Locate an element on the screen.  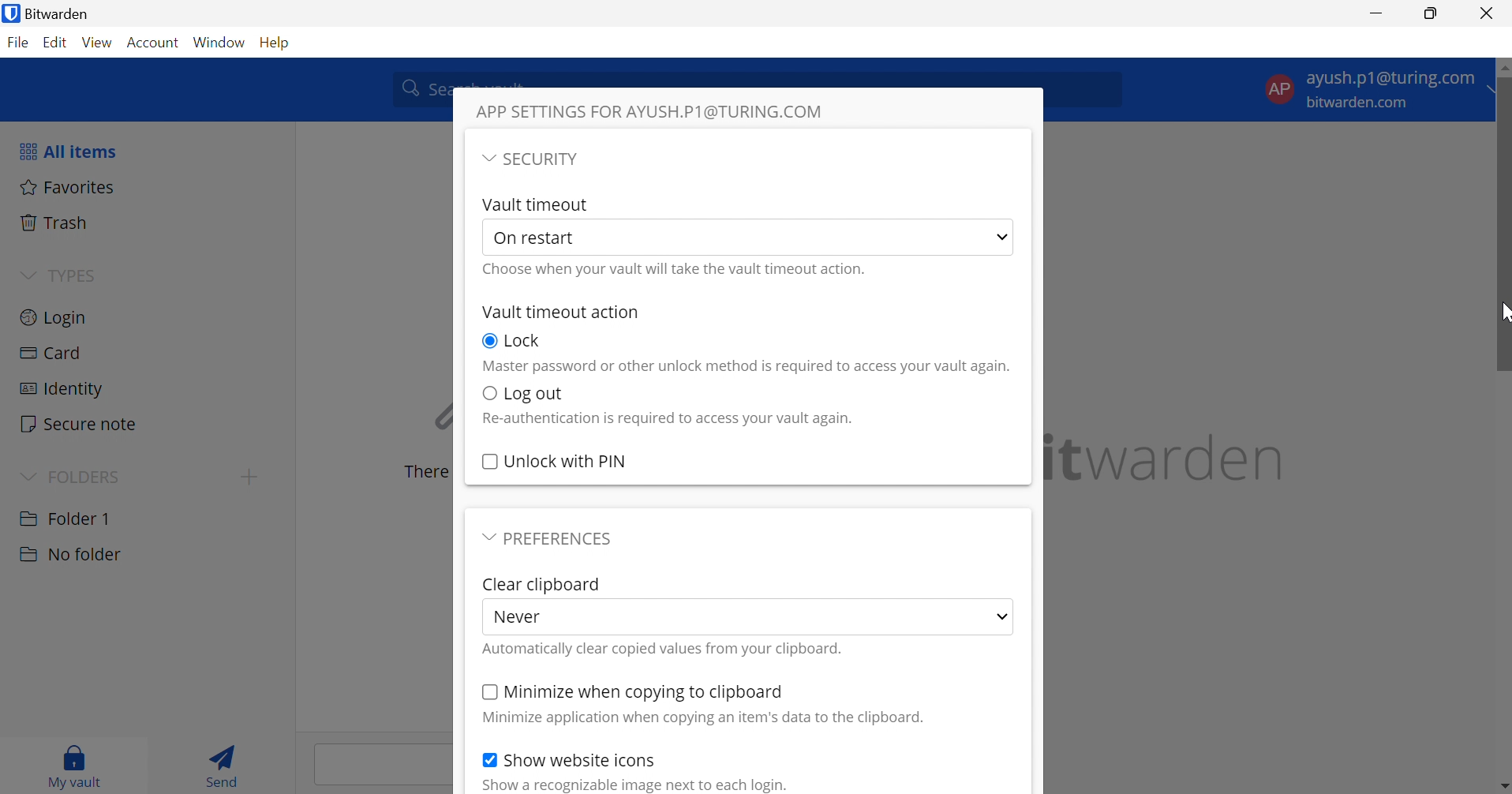
Show website icons is located at coordinates (581, 758).